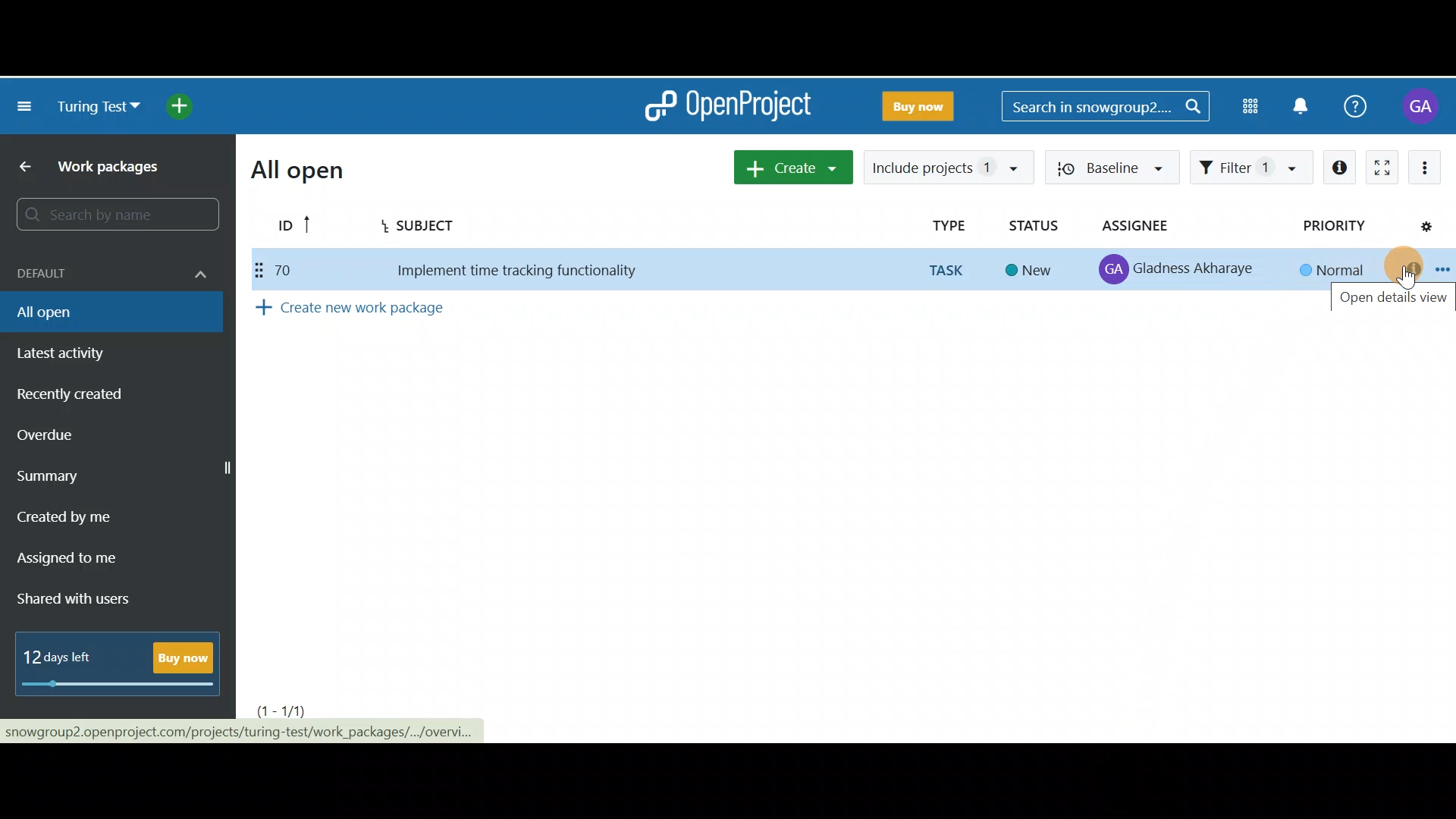 Image resolution: width=1456 pixels, height=819 pixels. What do you see at coordinates (108, 265) in the screenshot?
I see `Default` at bounding box center [108, 265].